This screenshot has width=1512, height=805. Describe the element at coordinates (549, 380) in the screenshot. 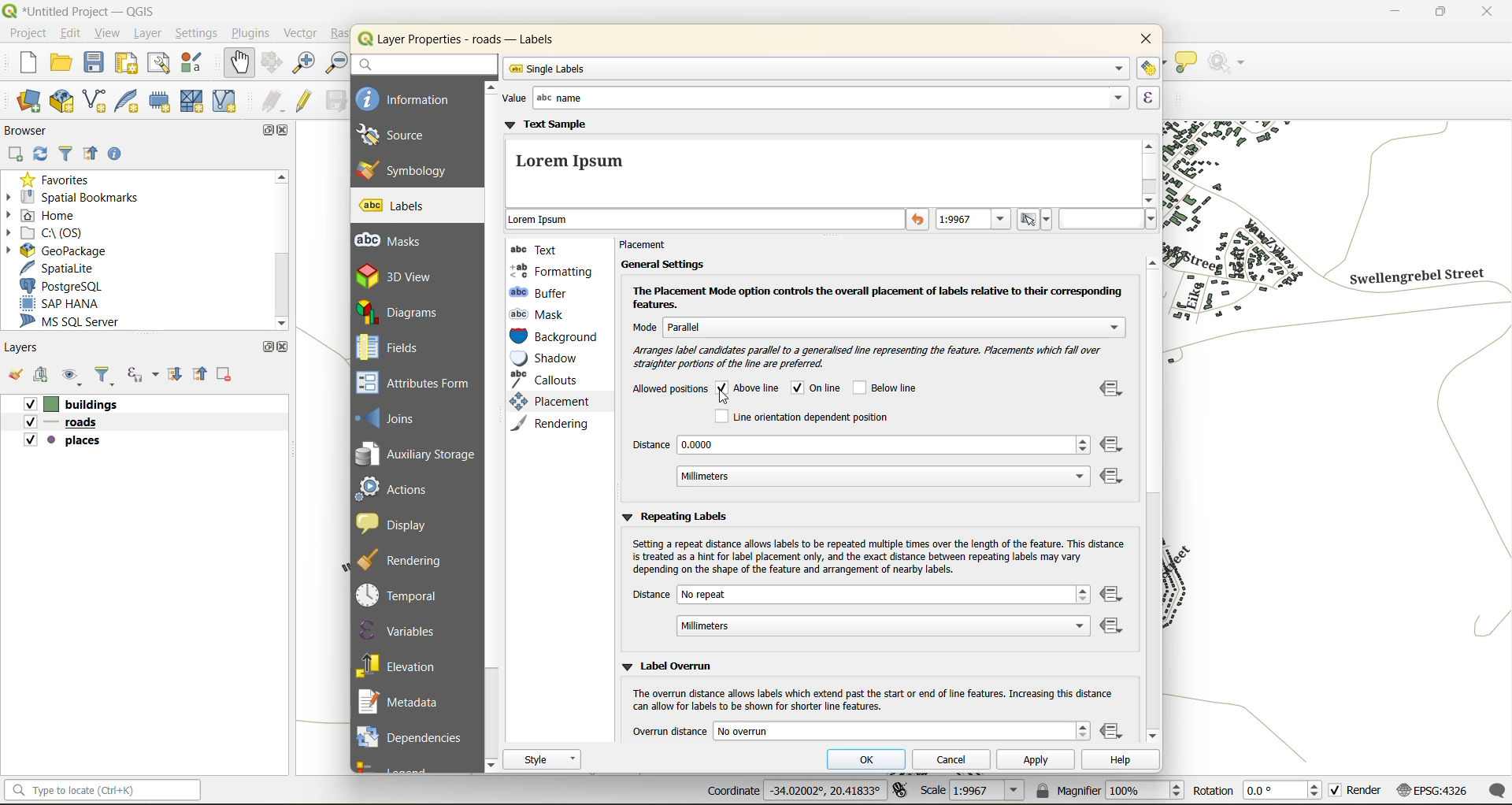

I see `callouts` at that location.